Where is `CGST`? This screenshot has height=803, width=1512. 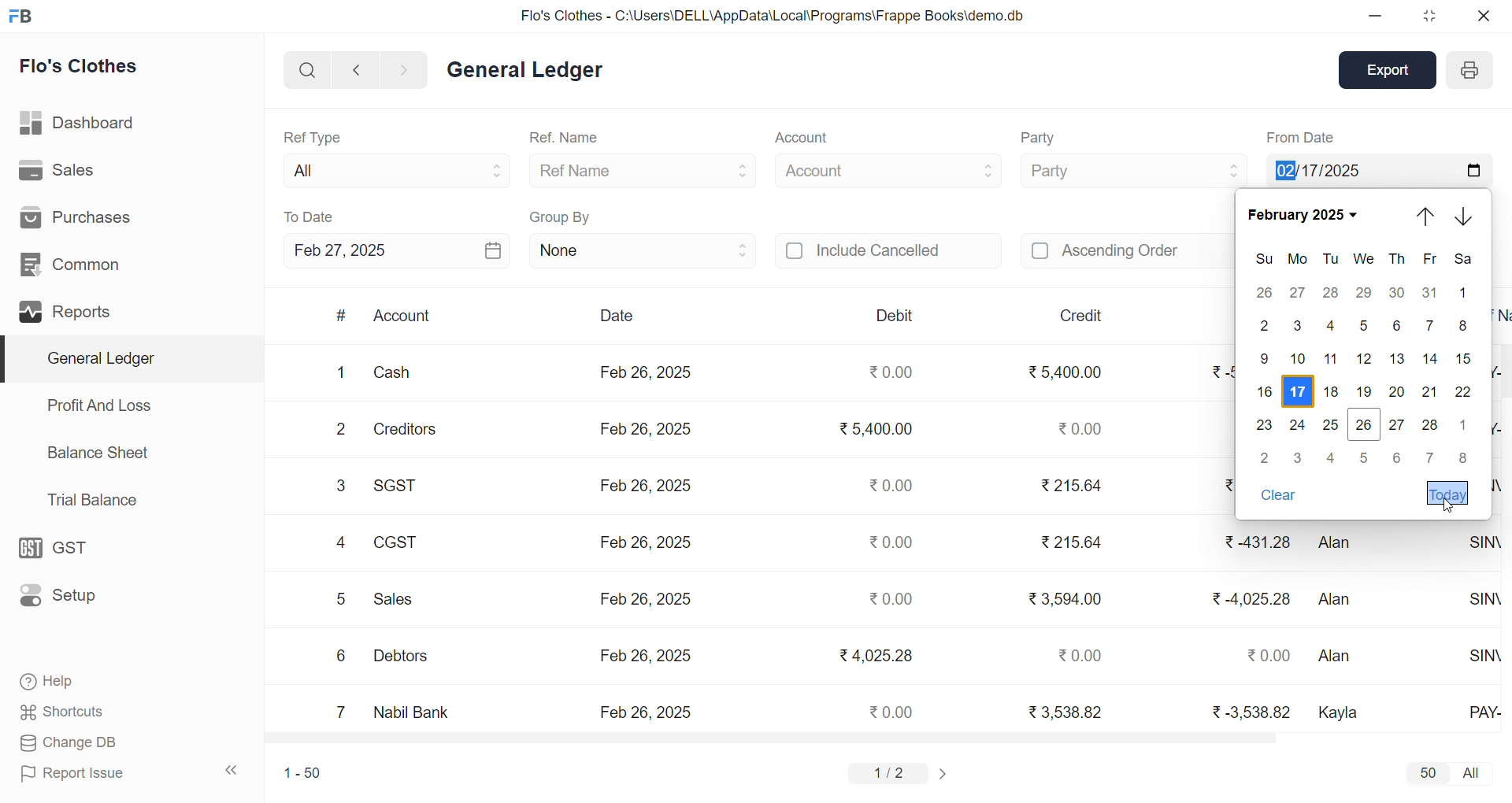 CGST is located at coordinates (395, 542).